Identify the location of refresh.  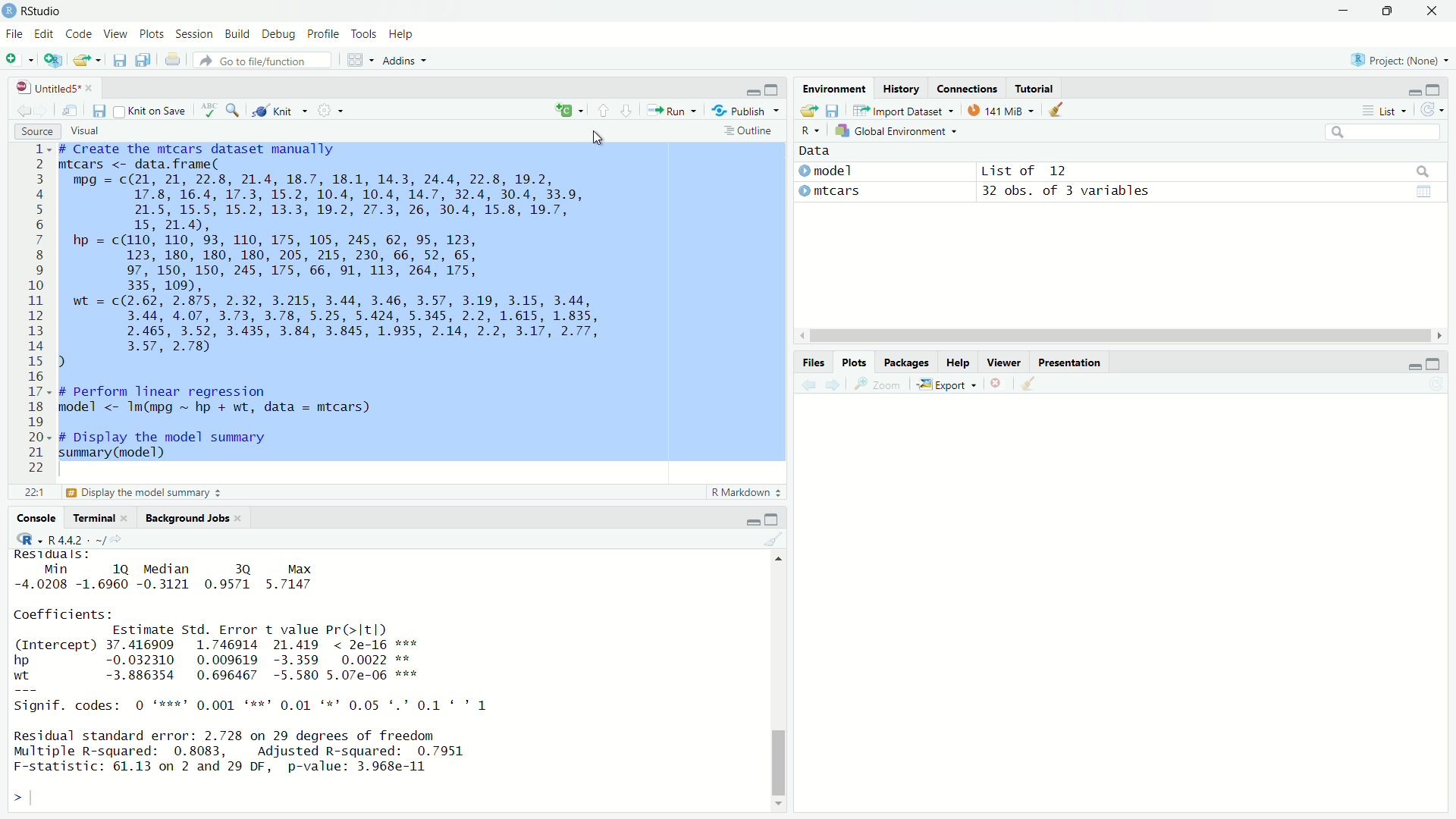
(1434, 110).